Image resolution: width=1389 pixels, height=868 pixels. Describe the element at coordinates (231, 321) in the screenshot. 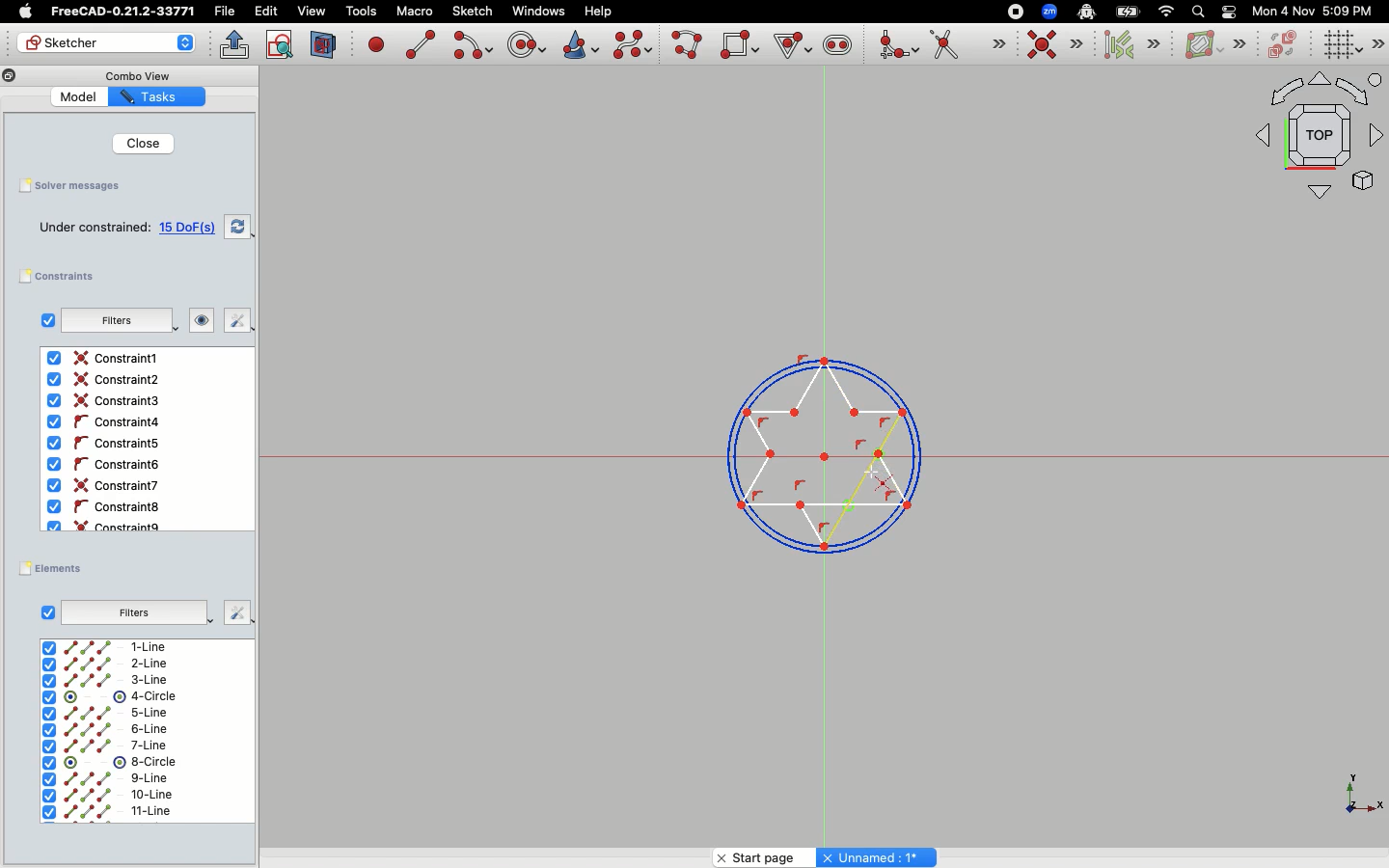

I see `Fix` at that location.